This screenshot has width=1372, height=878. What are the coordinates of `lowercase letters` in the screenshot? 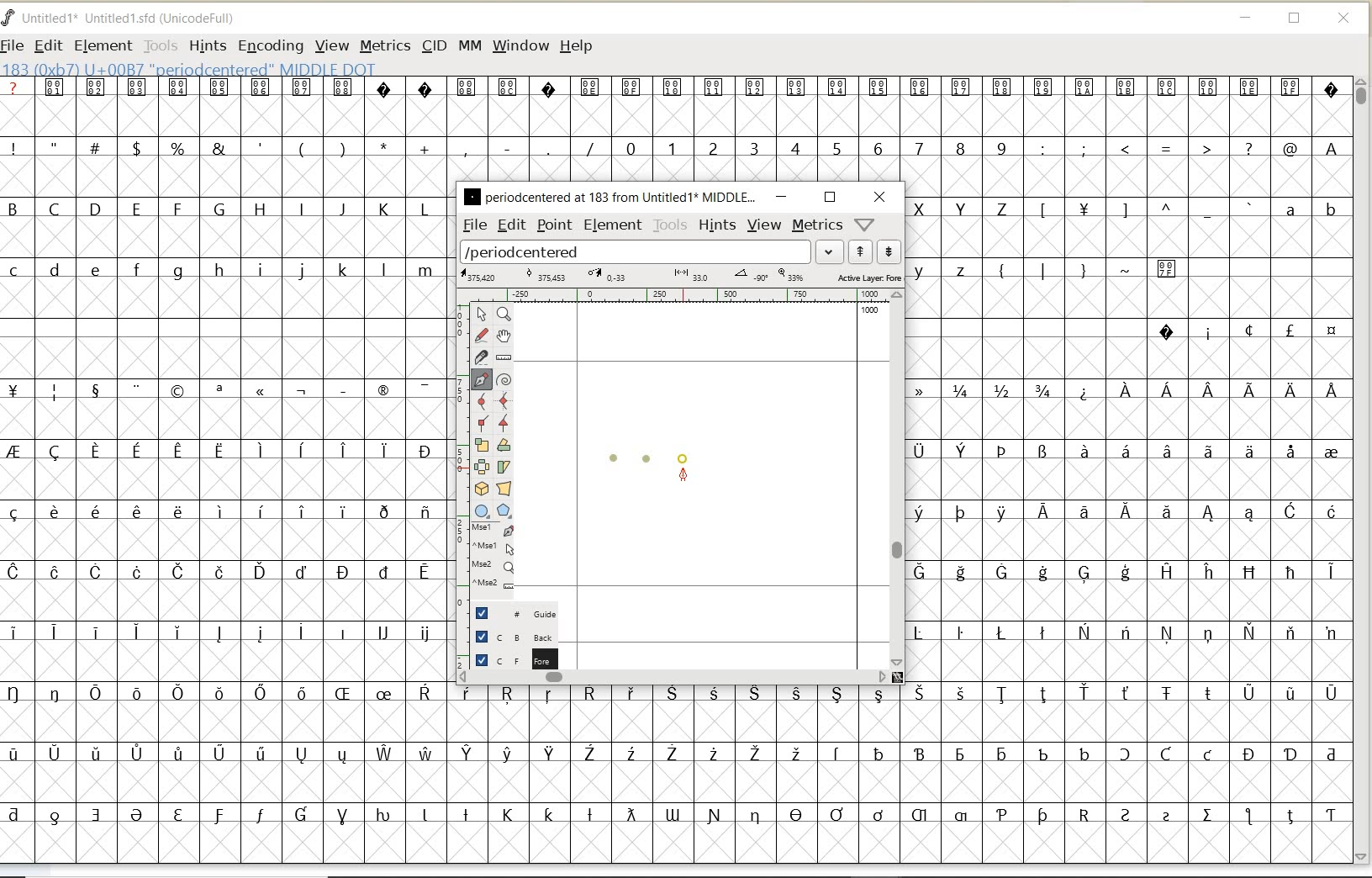 It's located at (950, 269).